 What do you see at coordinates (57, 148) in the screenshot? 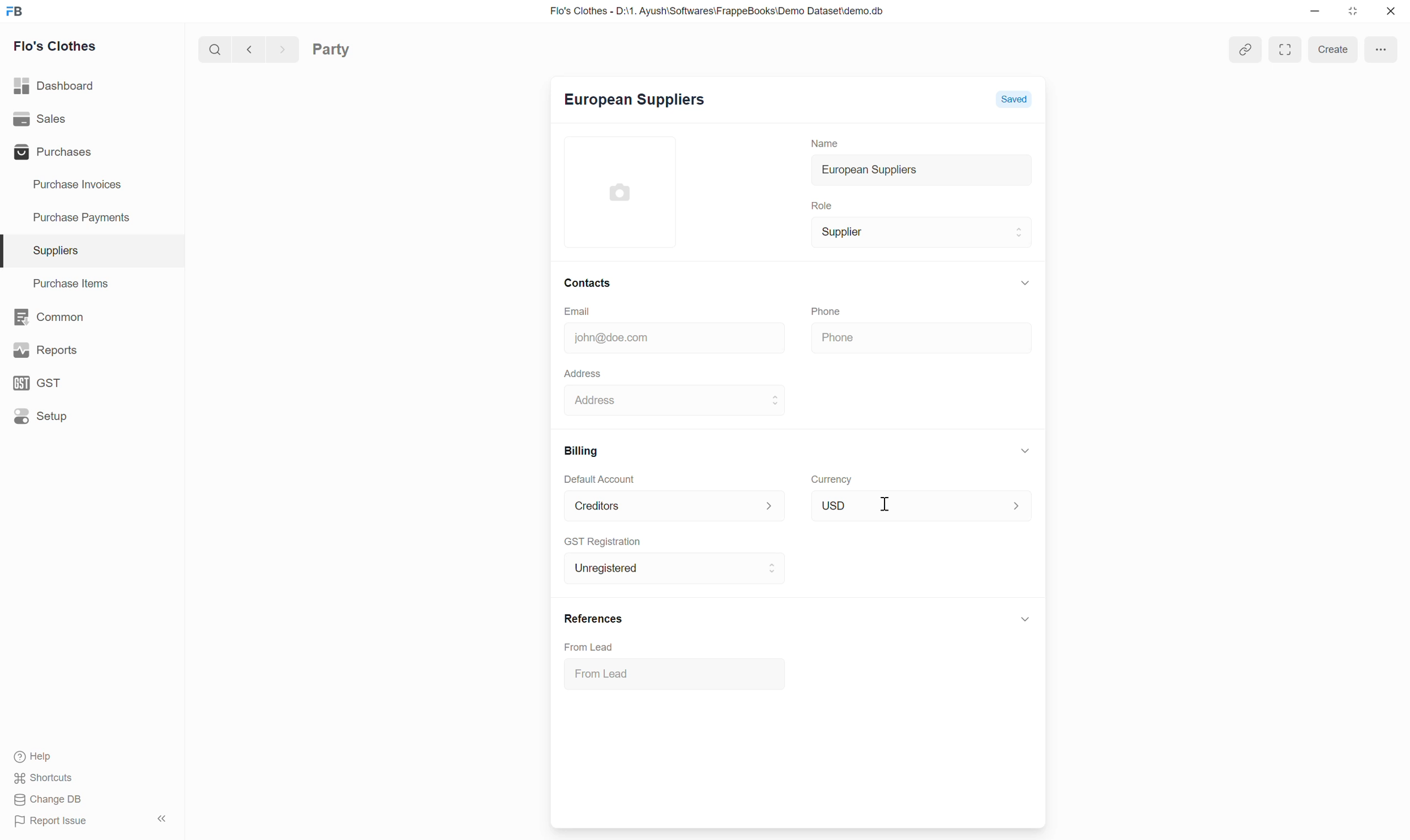
I see `Purchases` at bounding box center [57, 148].